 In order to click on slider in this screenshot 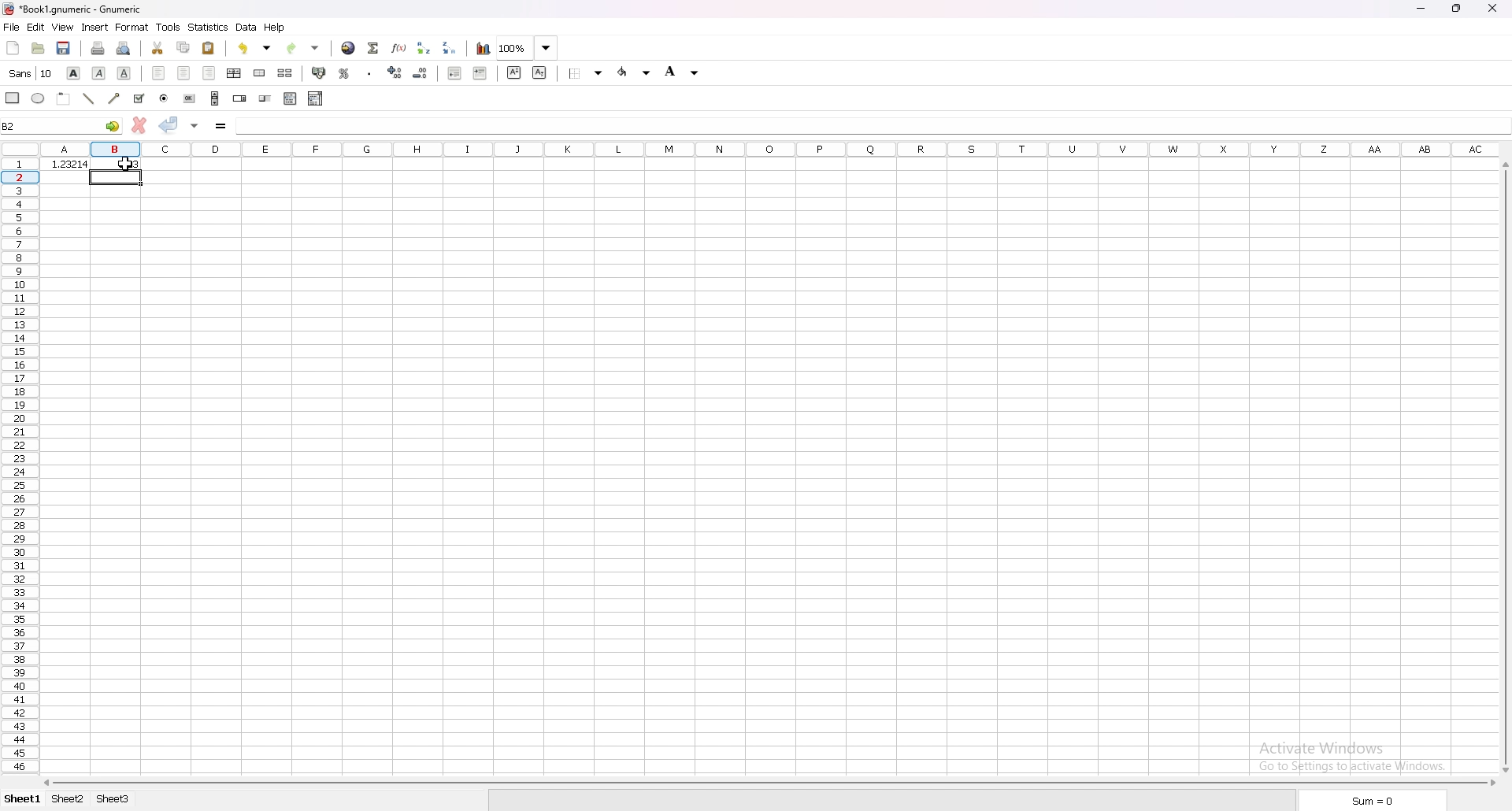, I will do `click(265, 99)`.